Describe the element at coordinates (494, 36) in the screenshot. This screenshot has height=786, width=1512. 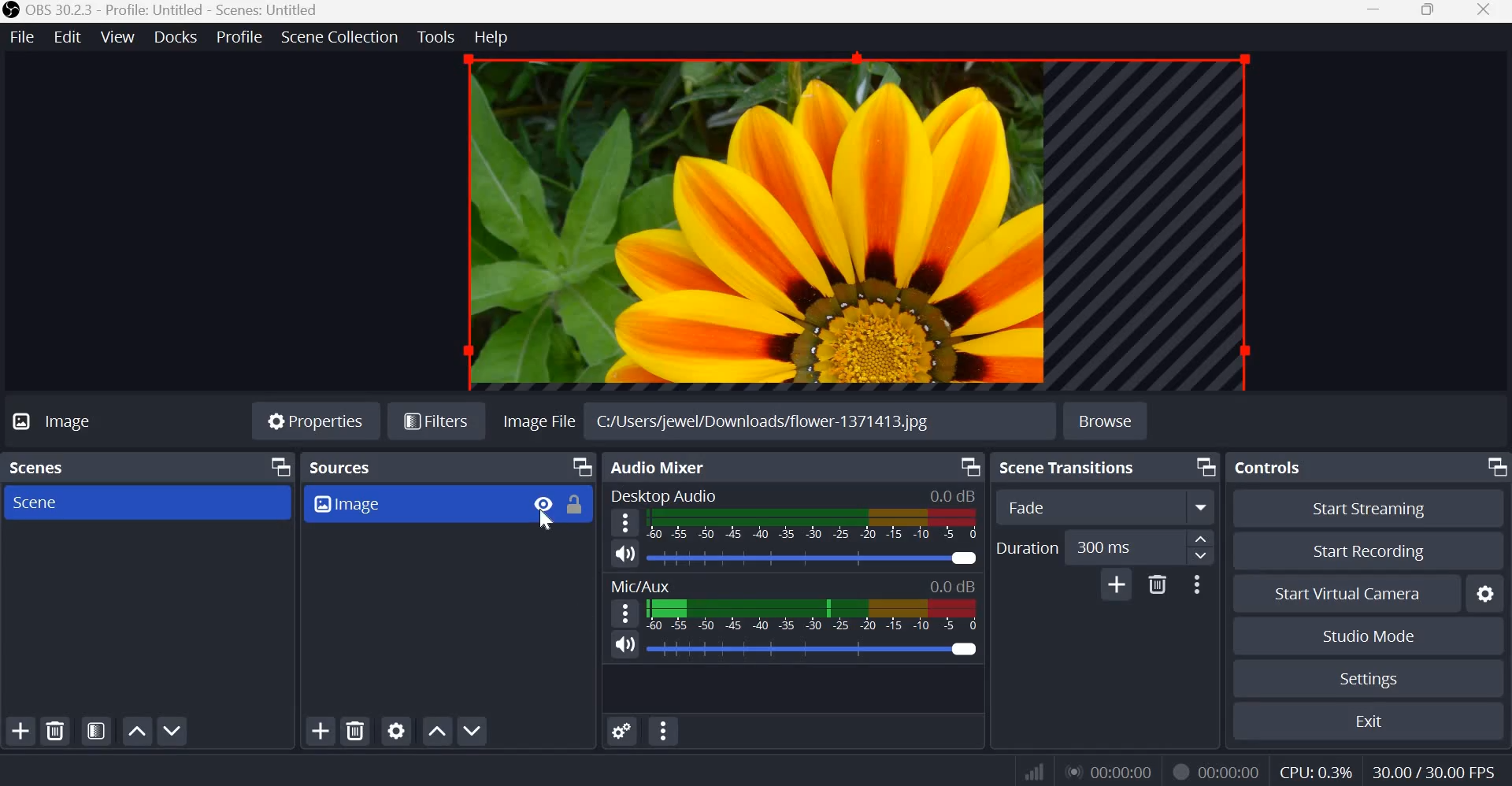
I see `Help` at that location.